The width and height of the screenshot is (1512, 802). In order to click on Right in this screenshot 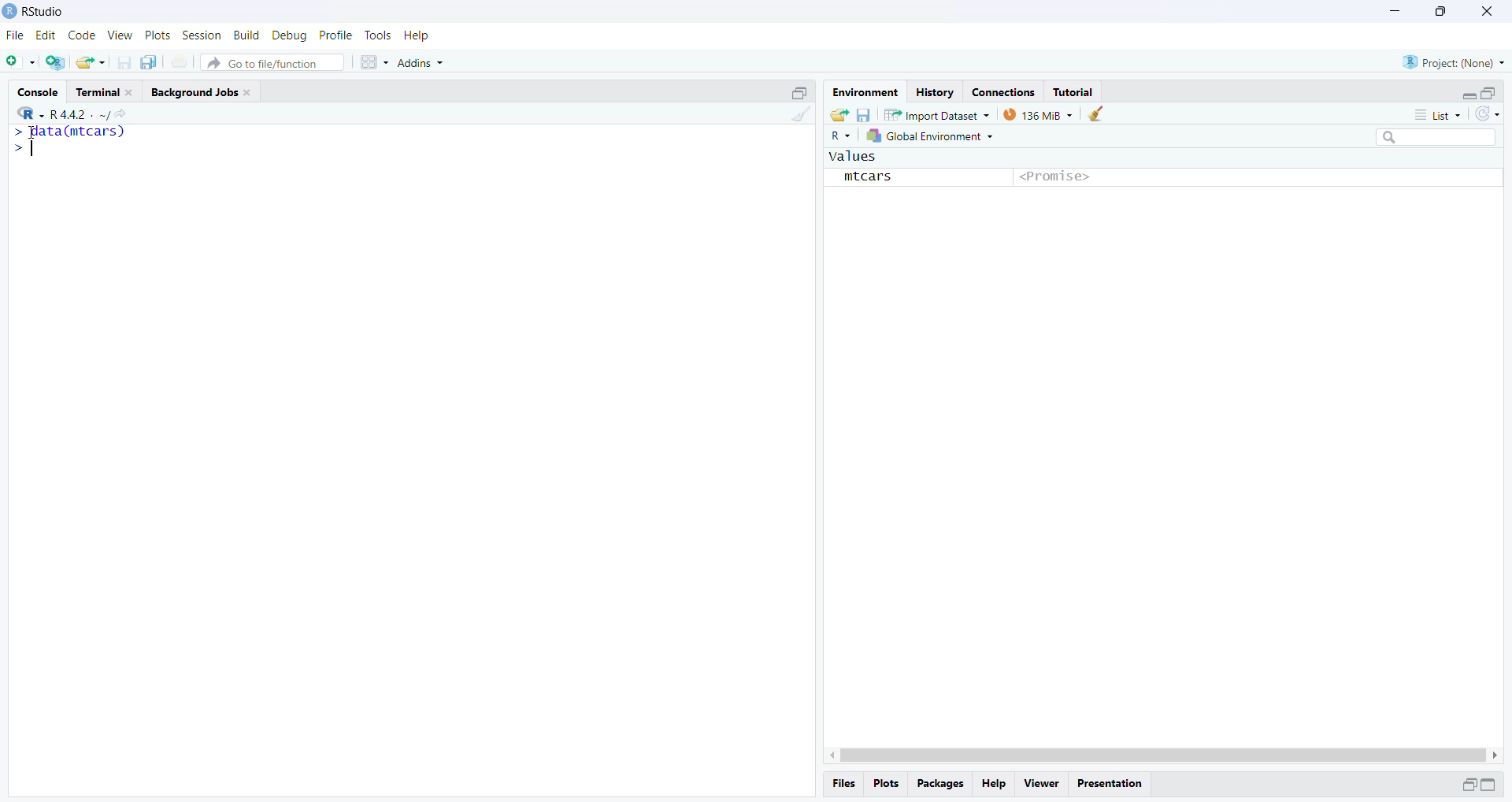, I will do `click(1497, 754)`.